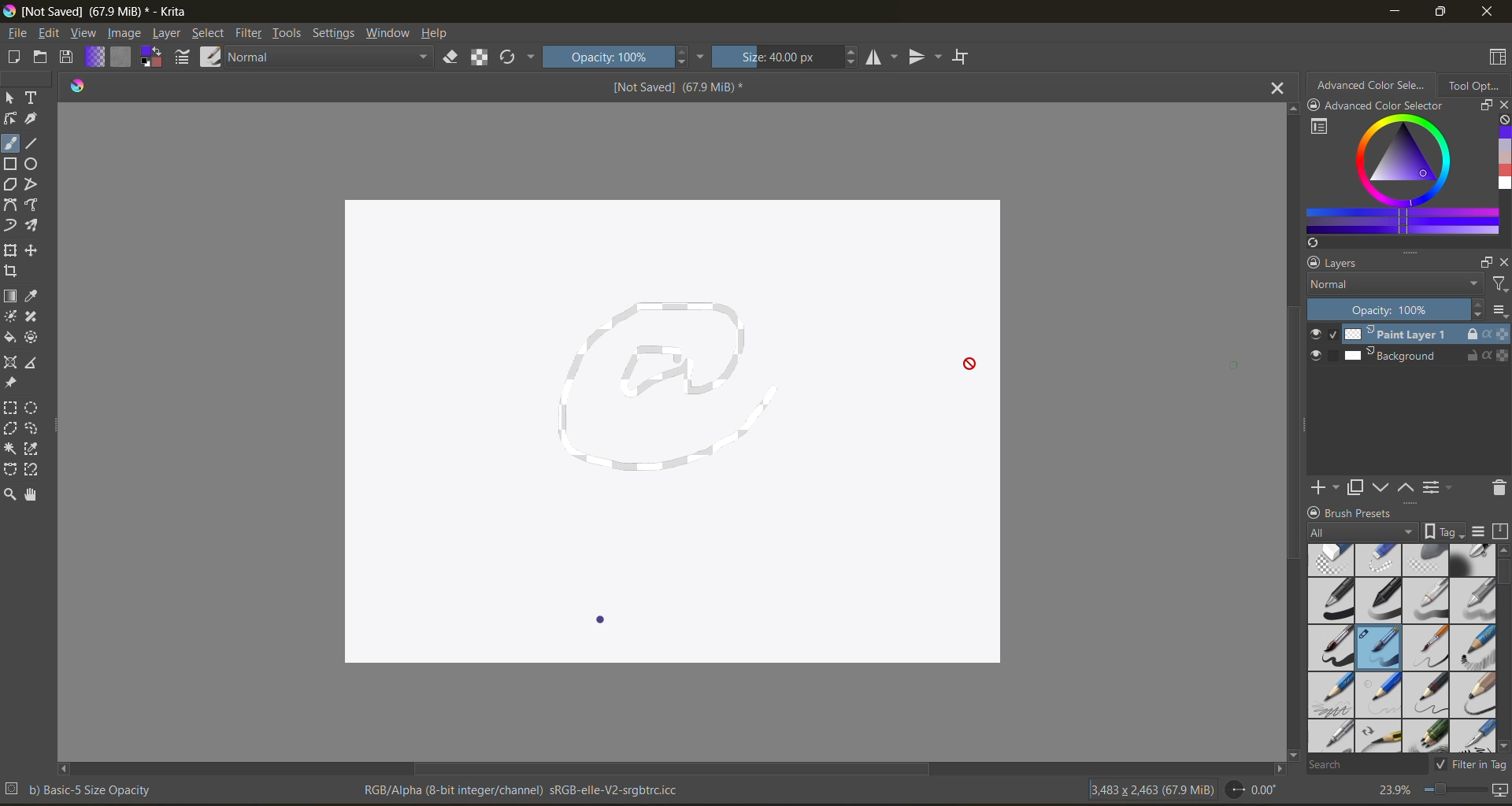 Image resolution: width=1512 pixels, height=806 pixels. I want to click on opacity, so click(1398, 309).